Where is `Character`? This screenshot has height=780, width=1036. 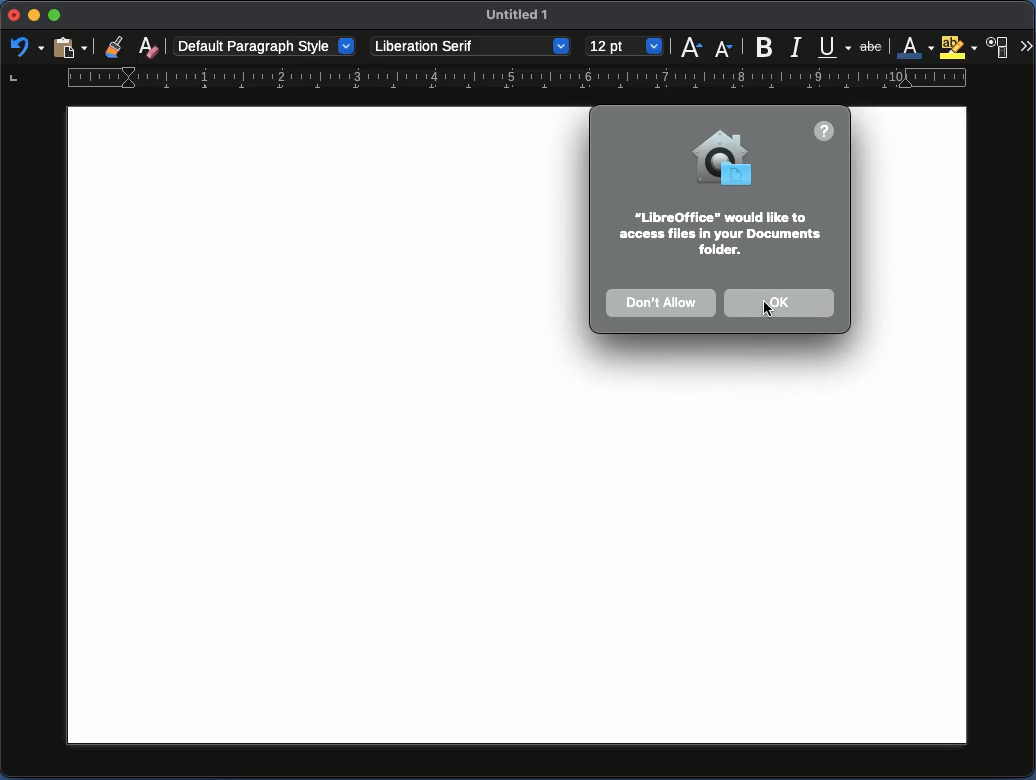
Character is located at coordinates (999, 47).